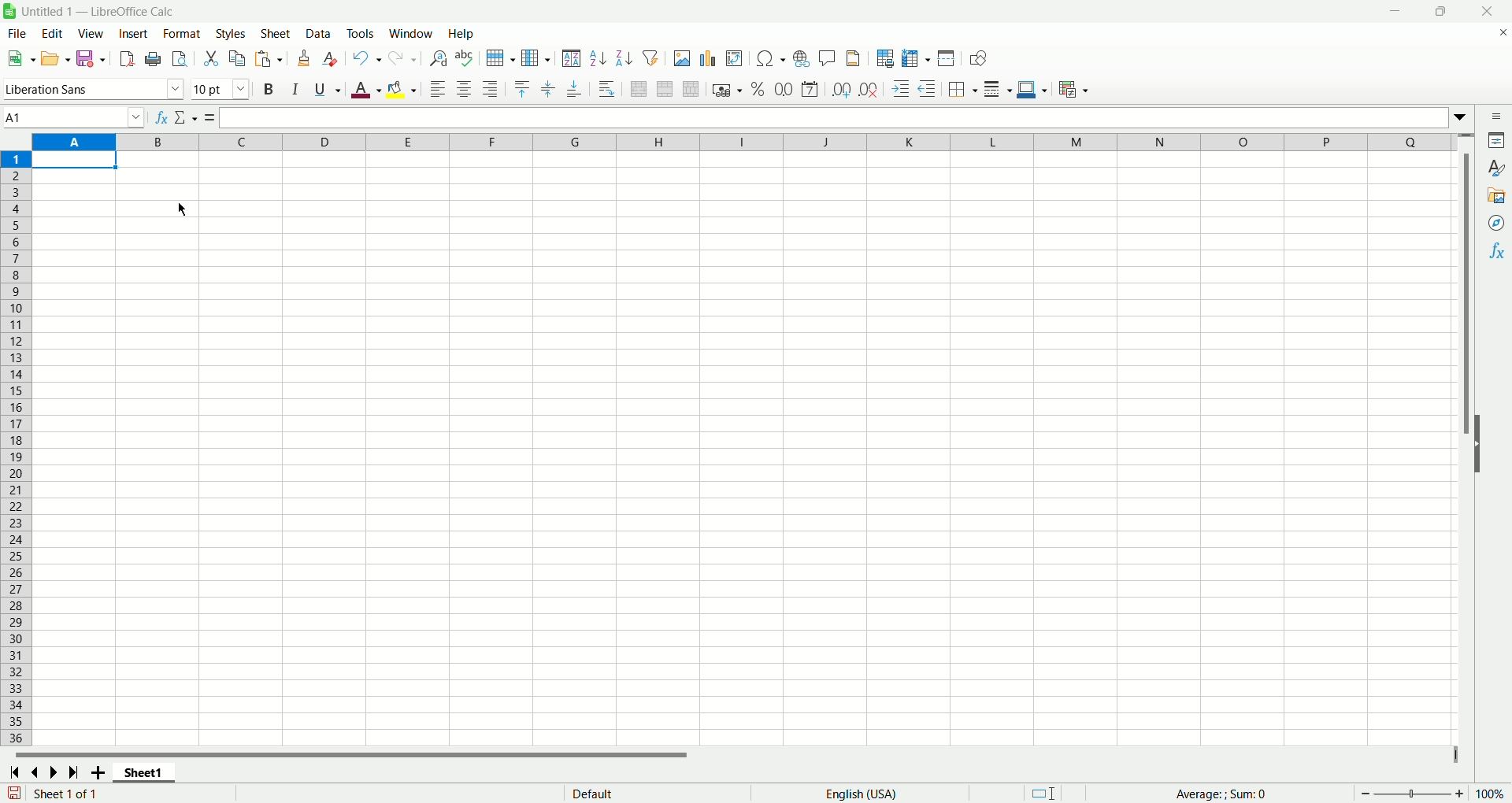  I want to click on close, so click(1488, 12).